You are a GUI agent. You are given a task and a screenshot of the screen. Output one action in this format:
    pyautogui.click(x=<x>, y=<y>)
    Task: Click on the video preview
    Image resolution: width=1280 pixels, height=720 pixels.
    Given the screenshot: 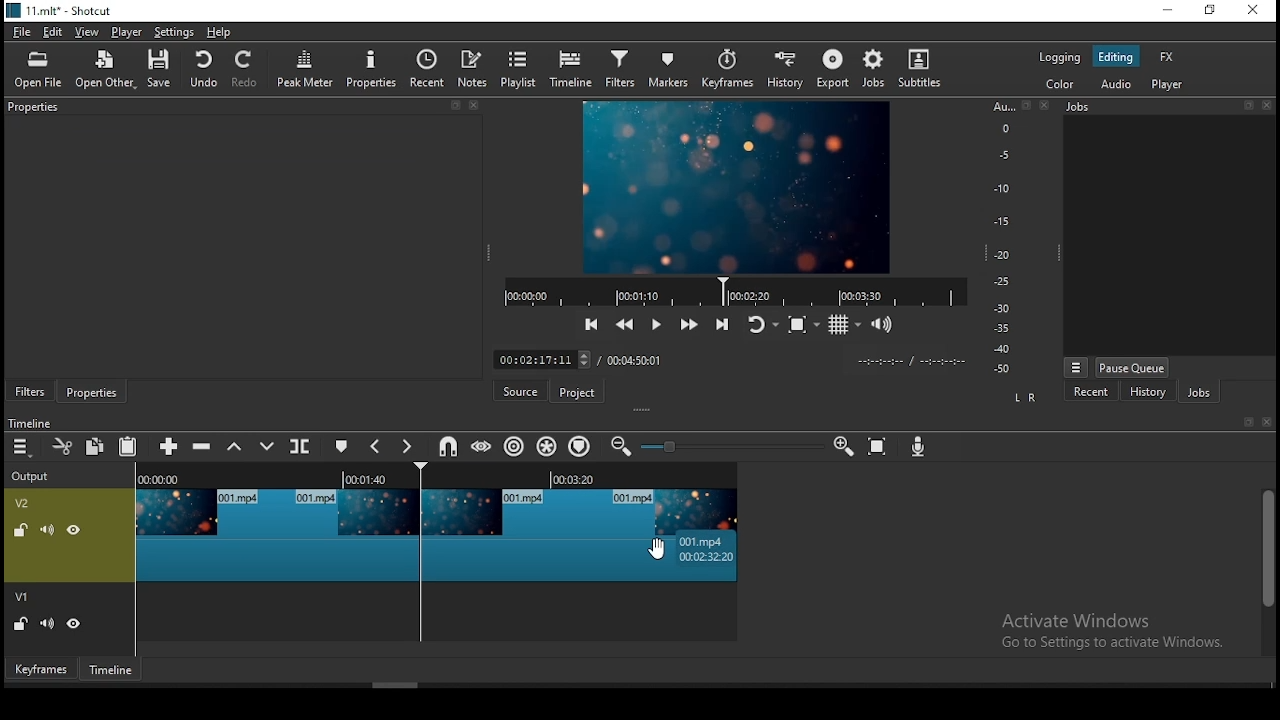 What is the action you would take?
    pyautogui.click(x=734, y=189)
    